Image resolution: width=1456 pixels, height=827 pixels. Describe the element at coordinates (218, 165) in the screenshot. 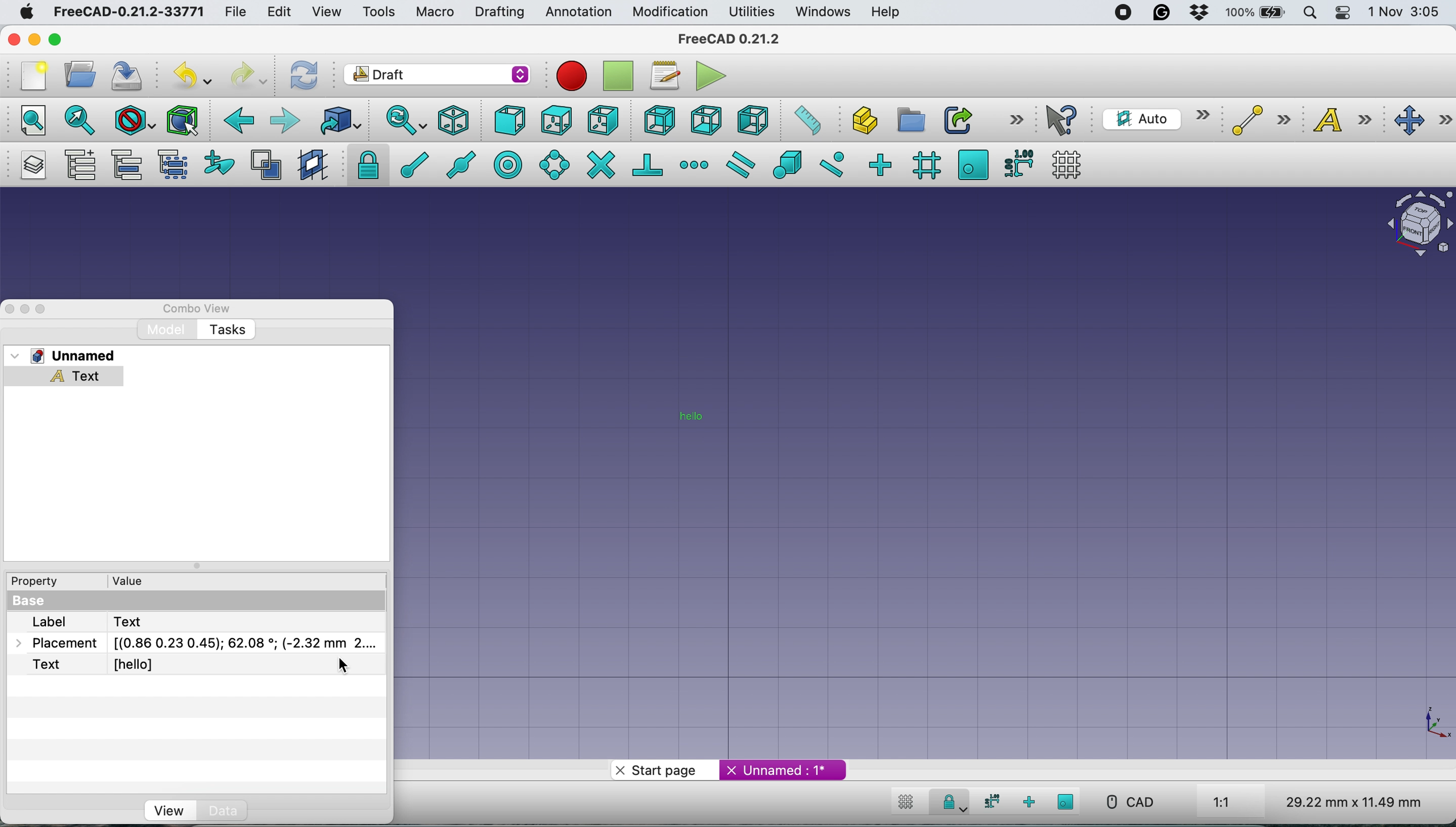

I see `add to construction group` at that location.